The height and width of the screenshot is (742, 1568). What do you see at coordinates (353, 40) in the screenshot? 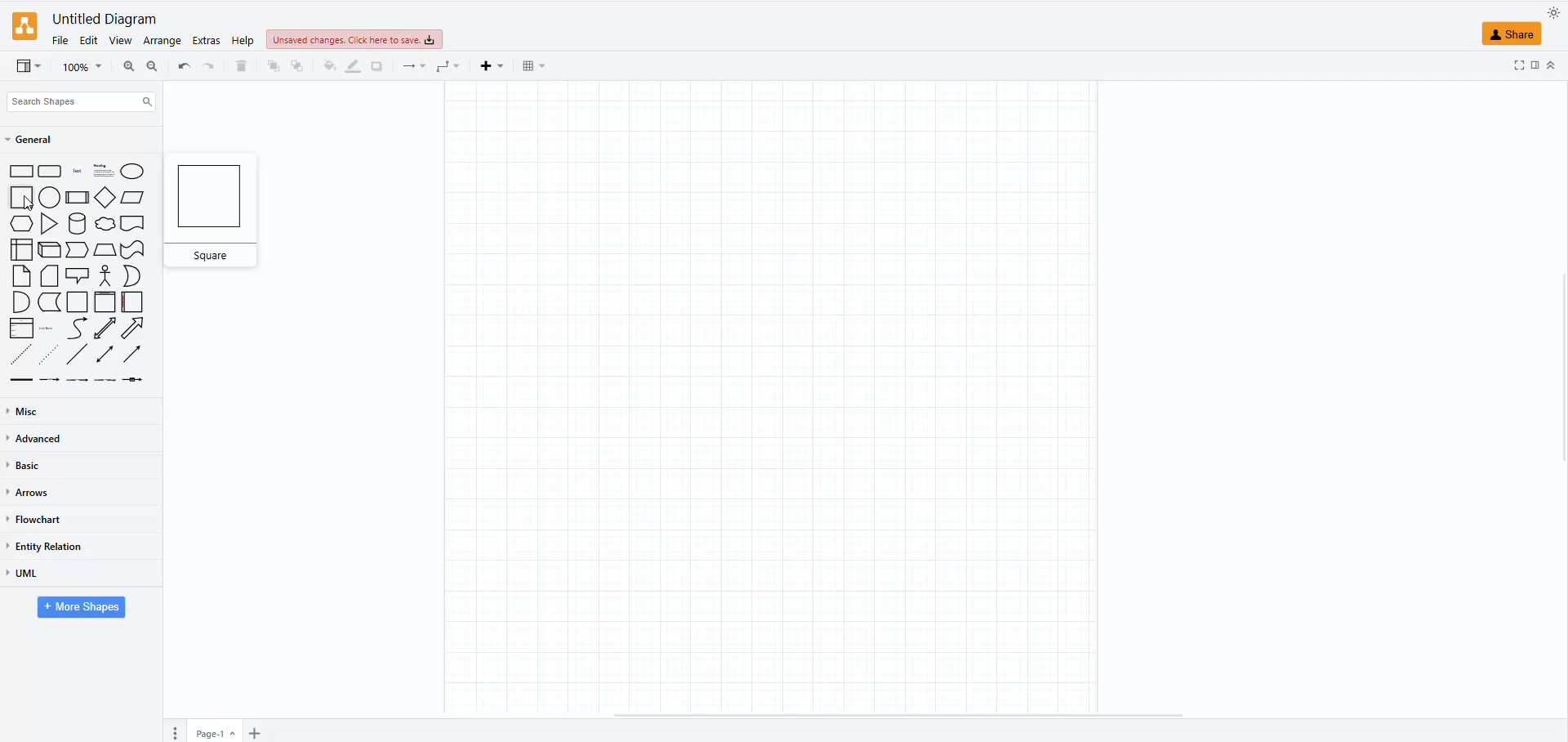
I see `unsaved changes` at bounding box center [353, 40].